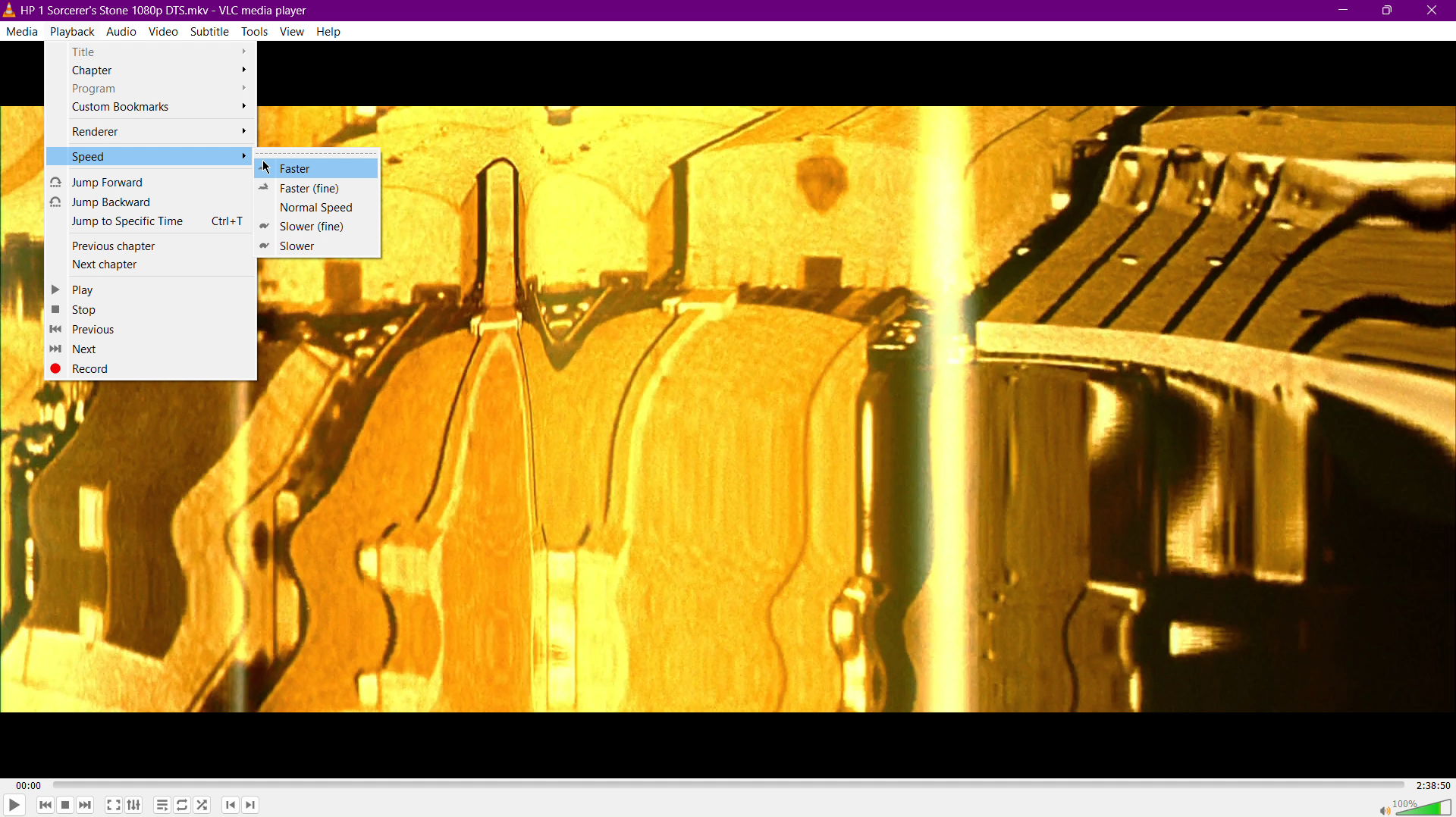 The width and height of the screenshot is (1456, 817). What do you see at coordinates (922, 409) in the screenshot?
I see `Video` at bounding box center [922, 409].